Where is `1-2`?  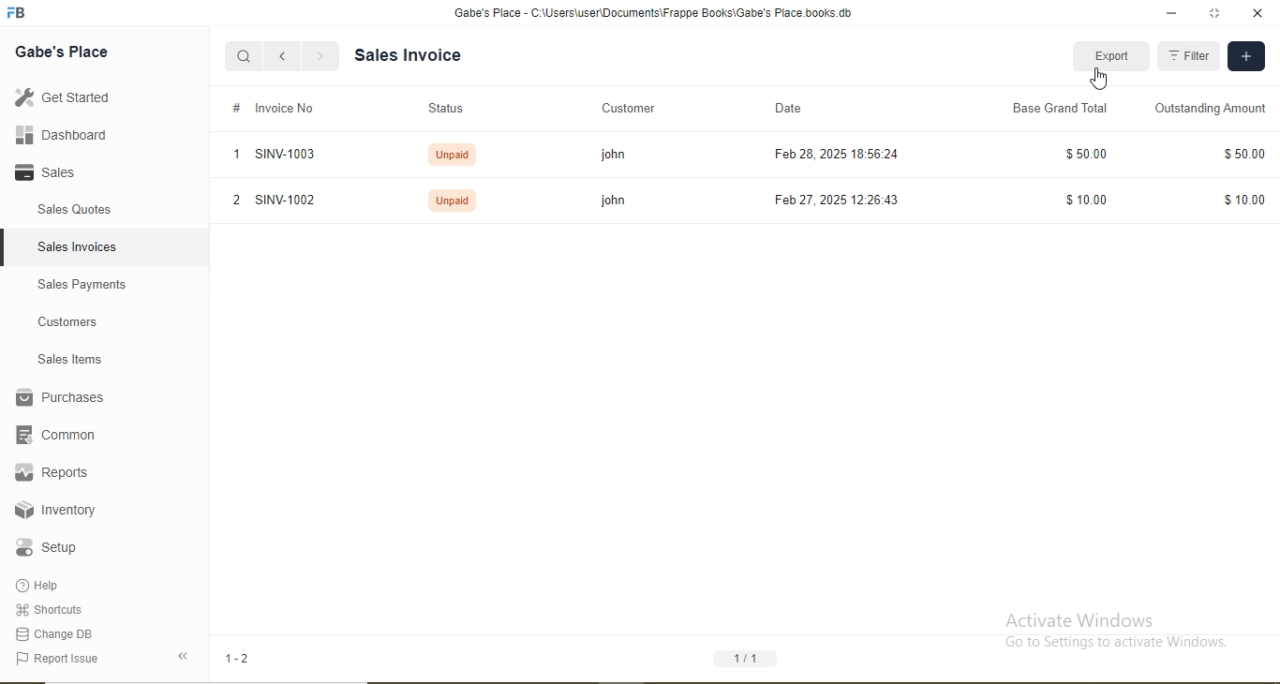 1-2 is located at coordinates (245, 660).